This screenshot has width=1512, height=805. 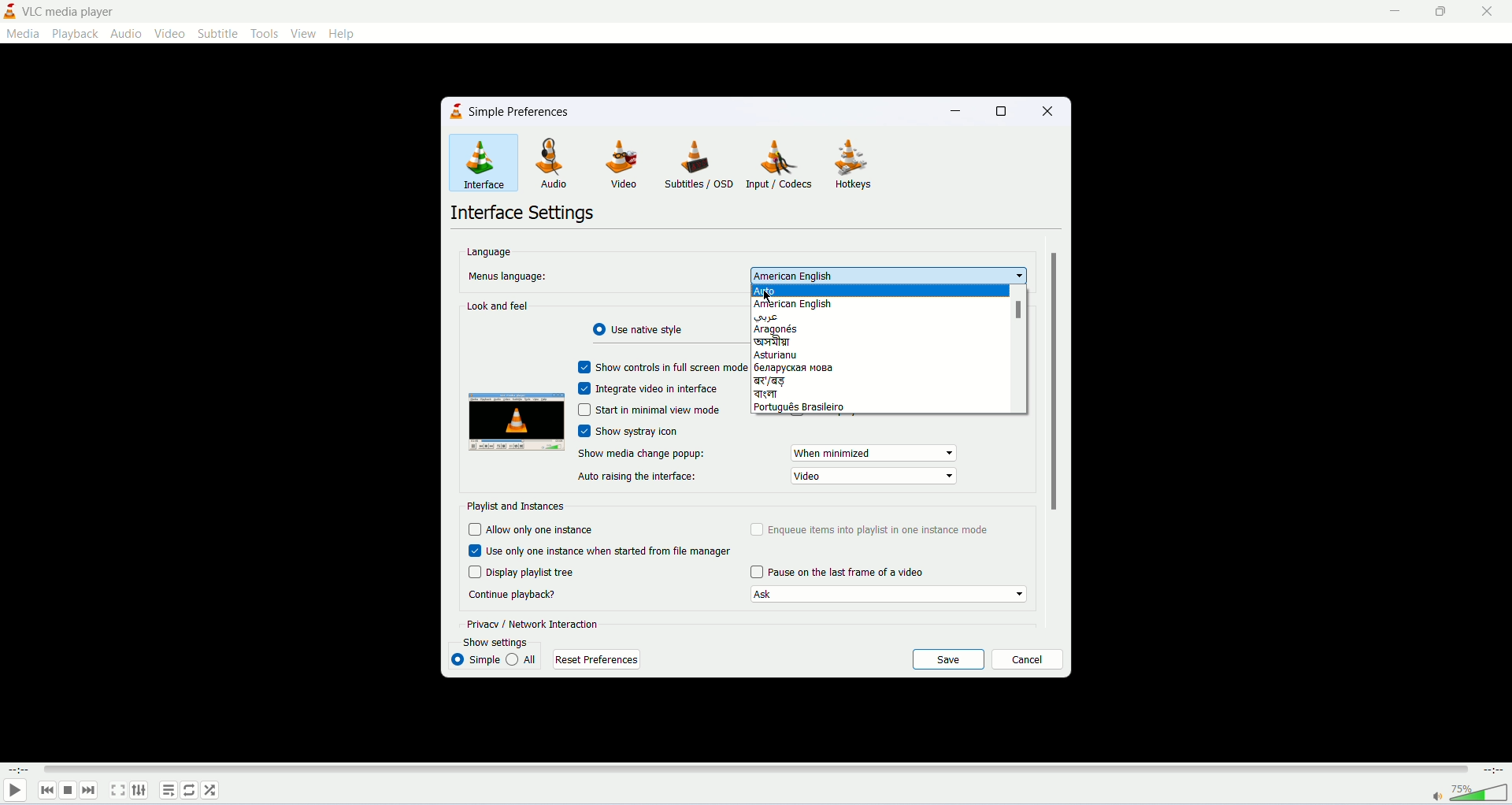 What do you see at coordinates (872, 477) in the screenshot?
I see `show media change popup options` at bounding box center [872, 477].